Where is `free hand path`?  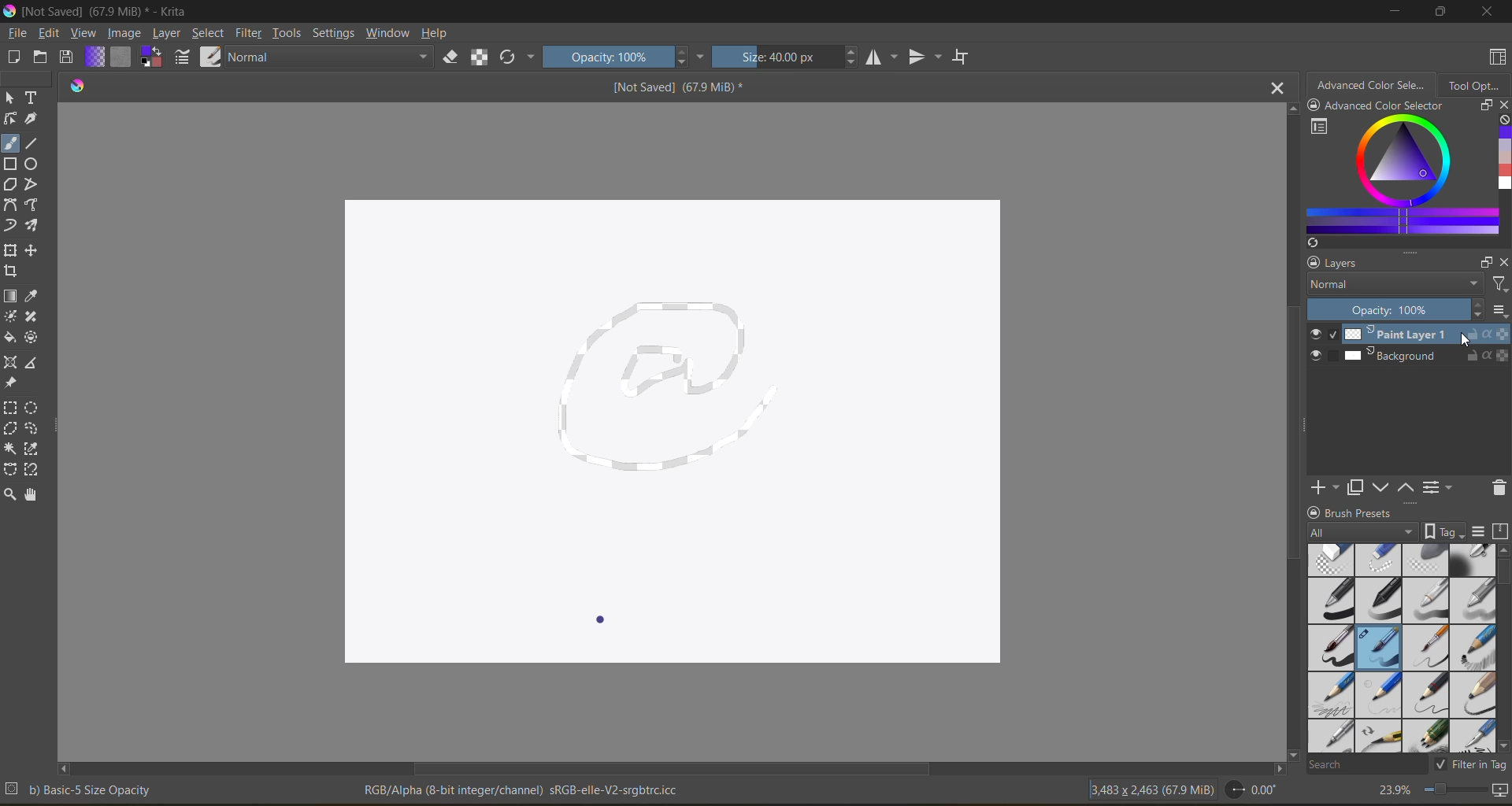
free hand path is located at coordinates (32, 205).